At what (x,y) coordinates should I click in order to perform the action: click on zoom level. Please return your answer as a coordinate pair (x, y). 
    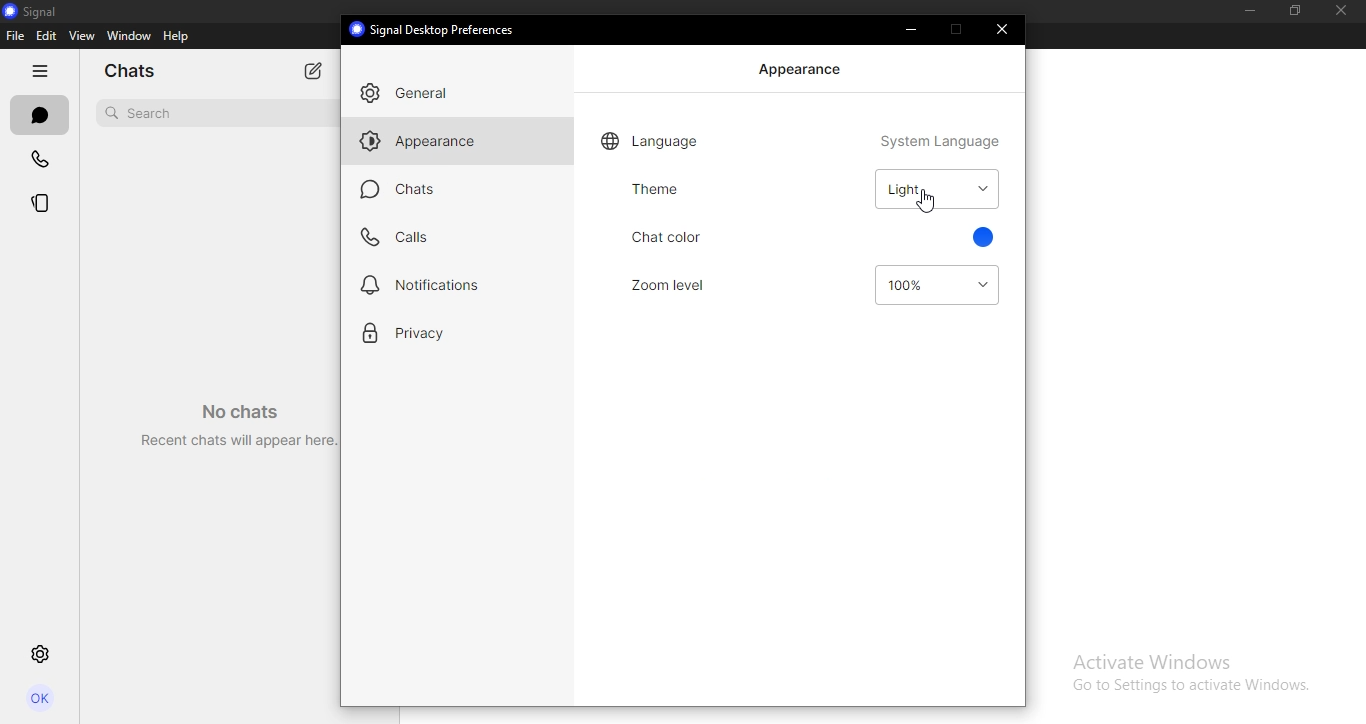
    Looking at the image, I should click on (680, 282).